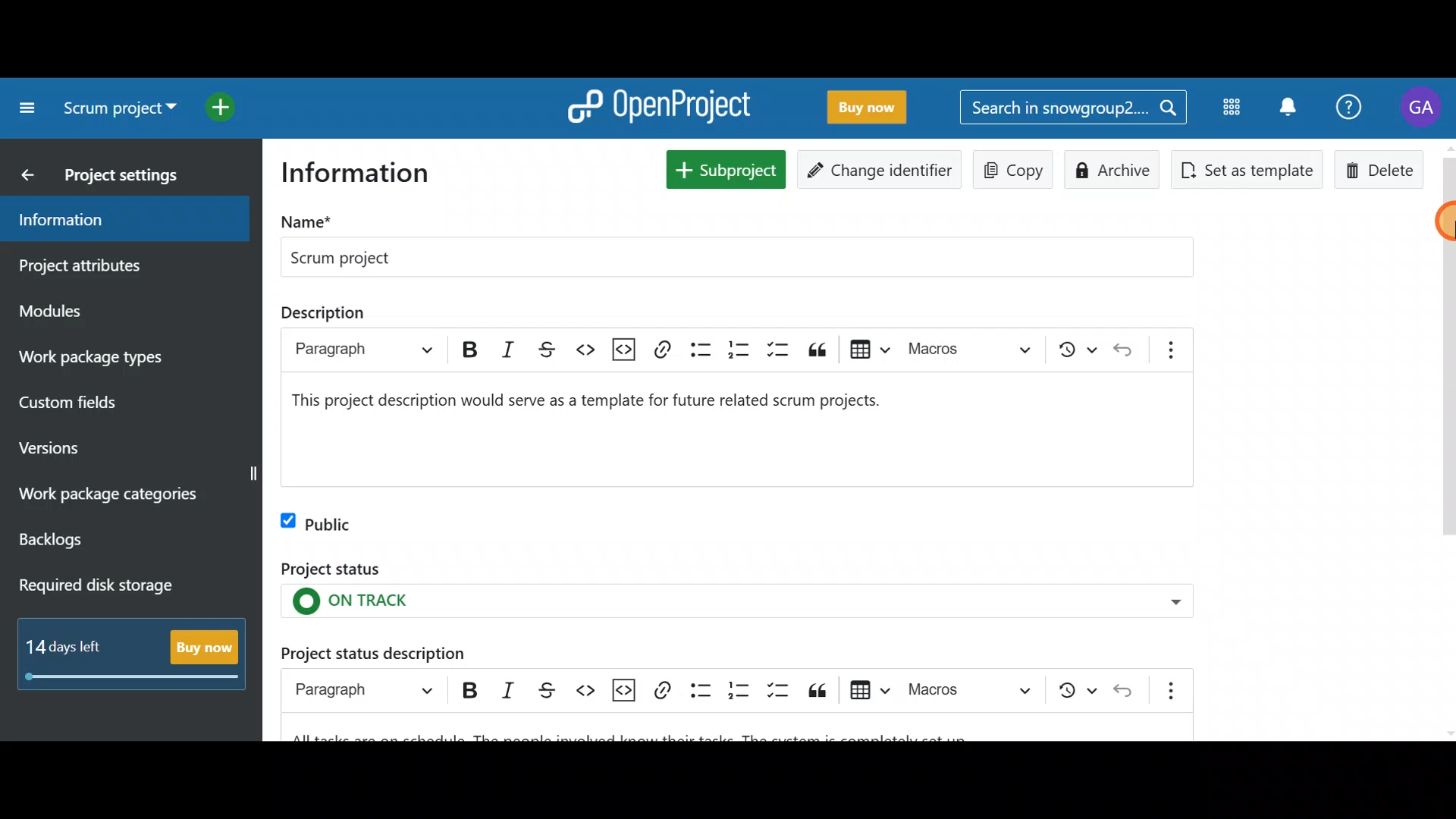 This screenshot has width=1456, height=819. I want to click on Help, so click(1351, 105).